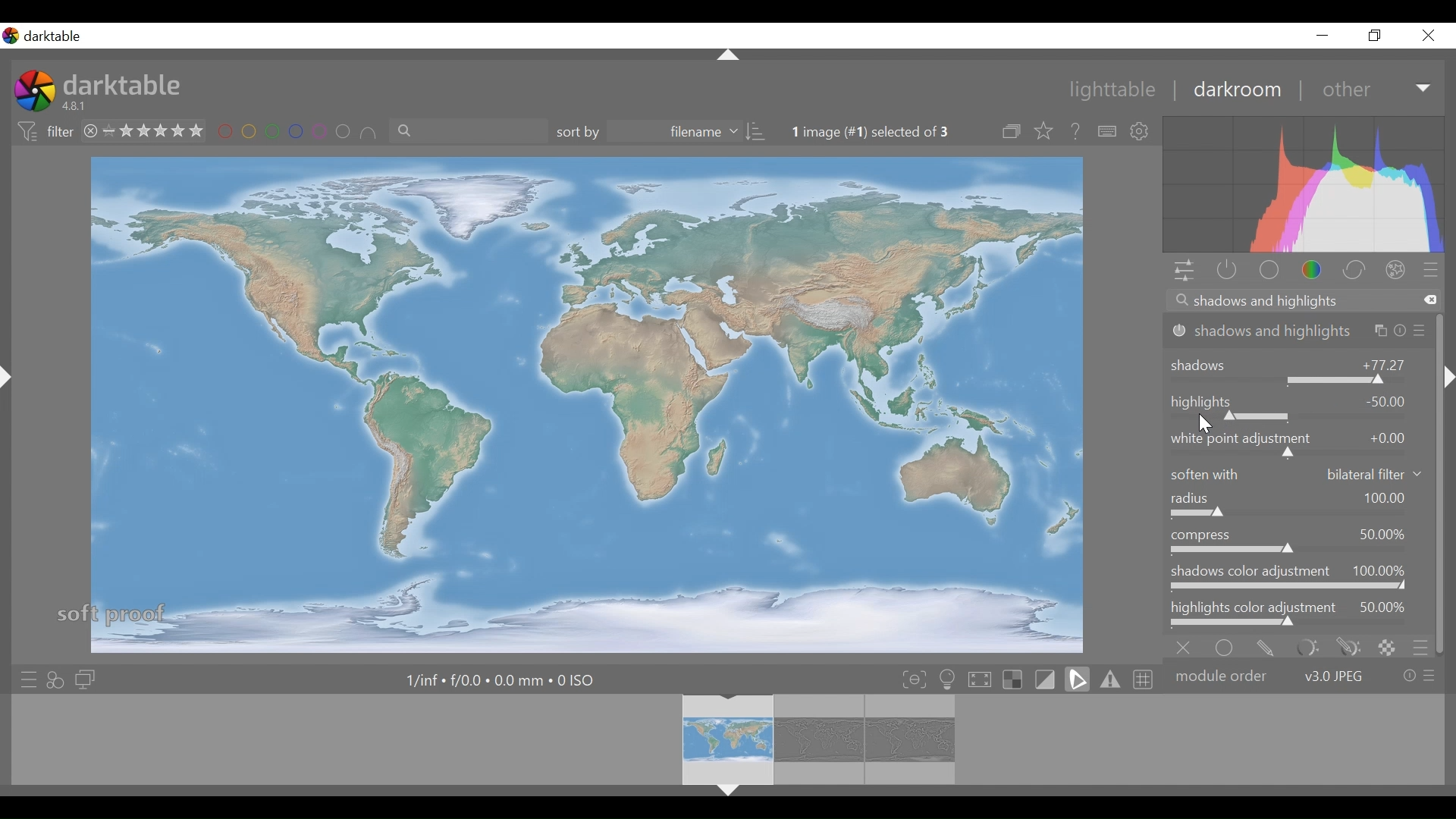  What do you see at coordinates (1386, 646) in the screenshot?
I see `raster mask ` at bounding box center [1386, 646].